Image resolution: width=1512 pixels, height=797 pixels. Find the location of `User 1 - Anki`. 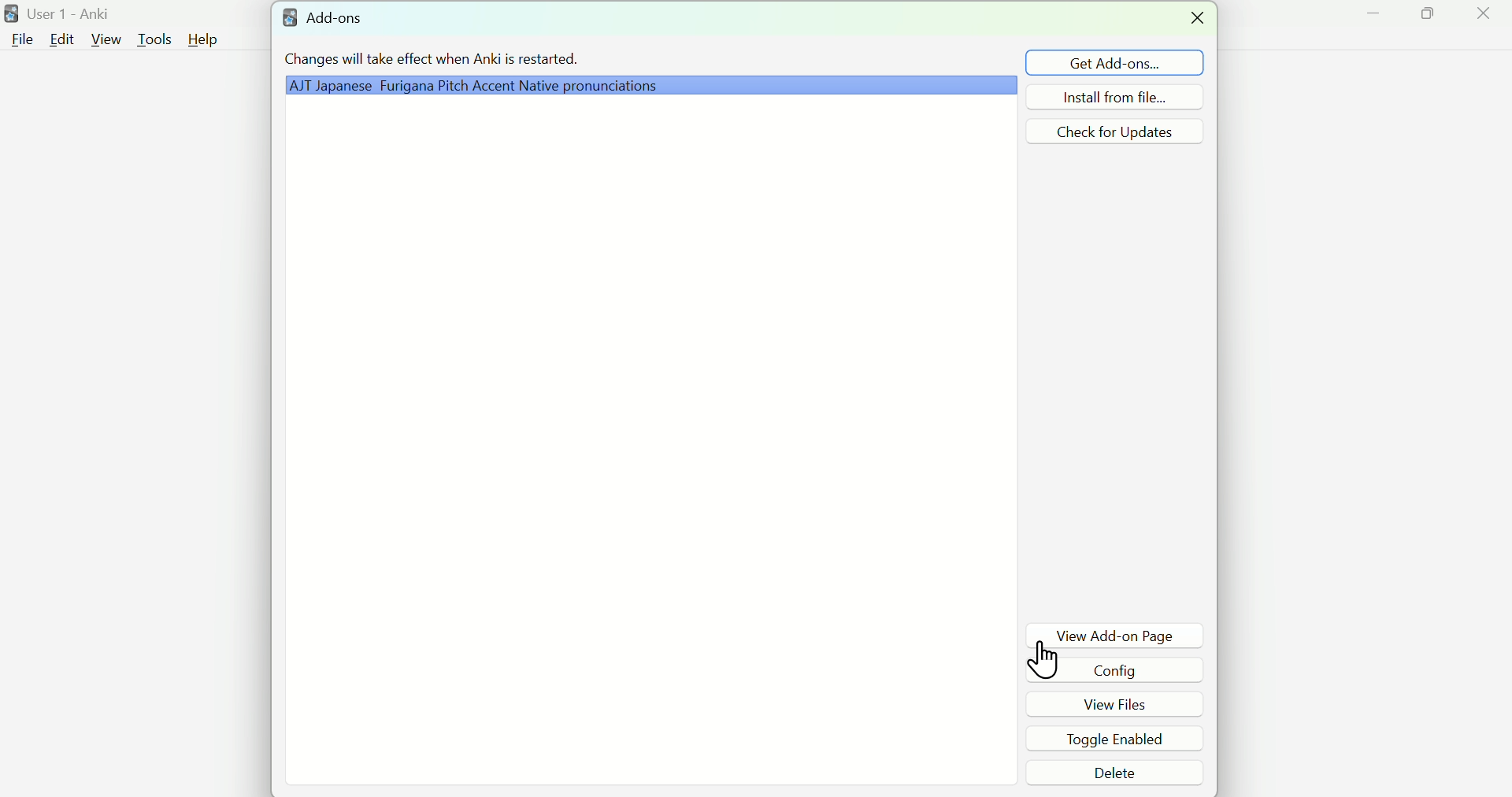

User 1 - Anki is located at coordinates (60, 12).